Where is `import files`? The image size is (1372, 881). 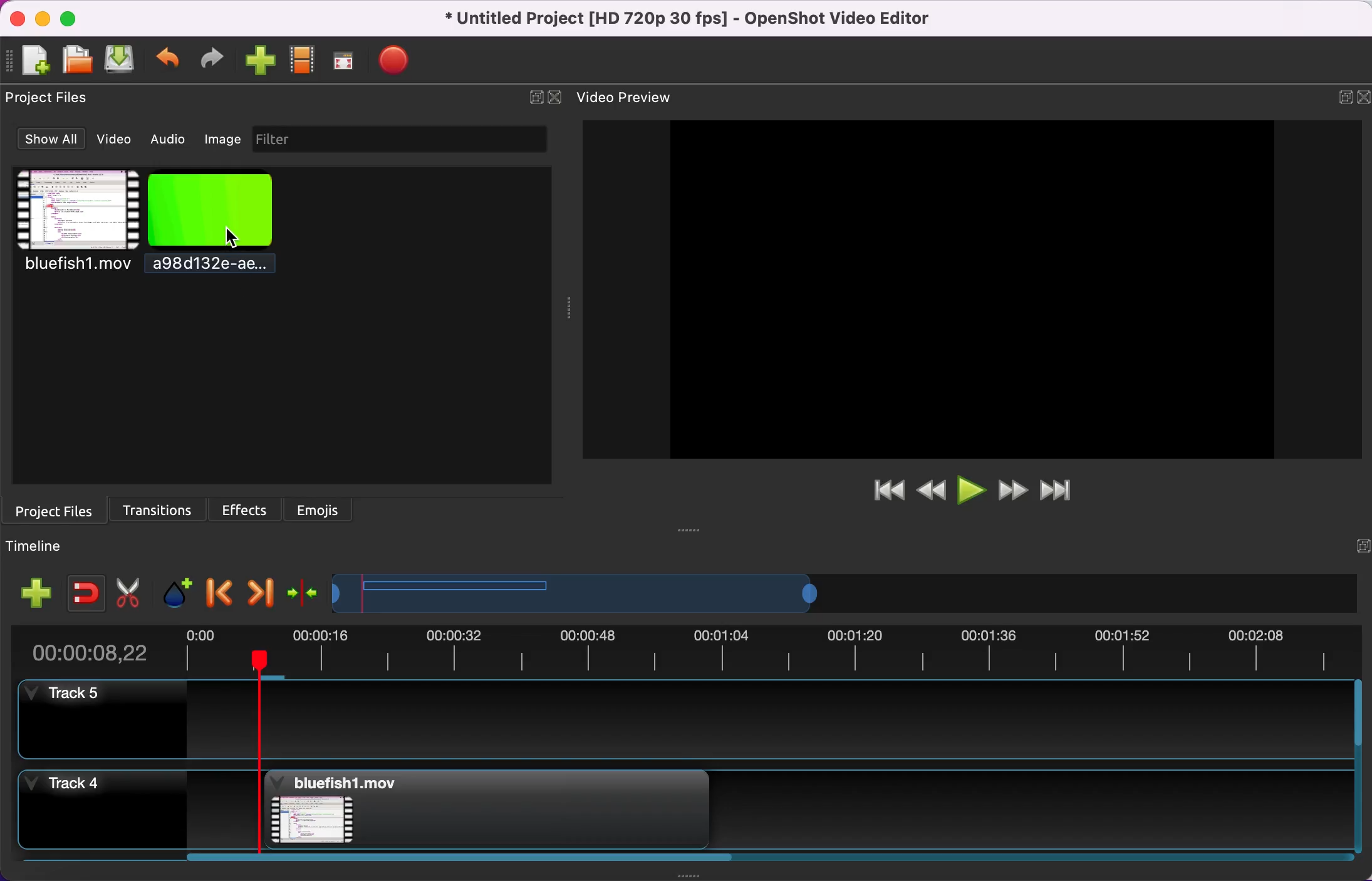 import files is located at coordinates (256, 63).